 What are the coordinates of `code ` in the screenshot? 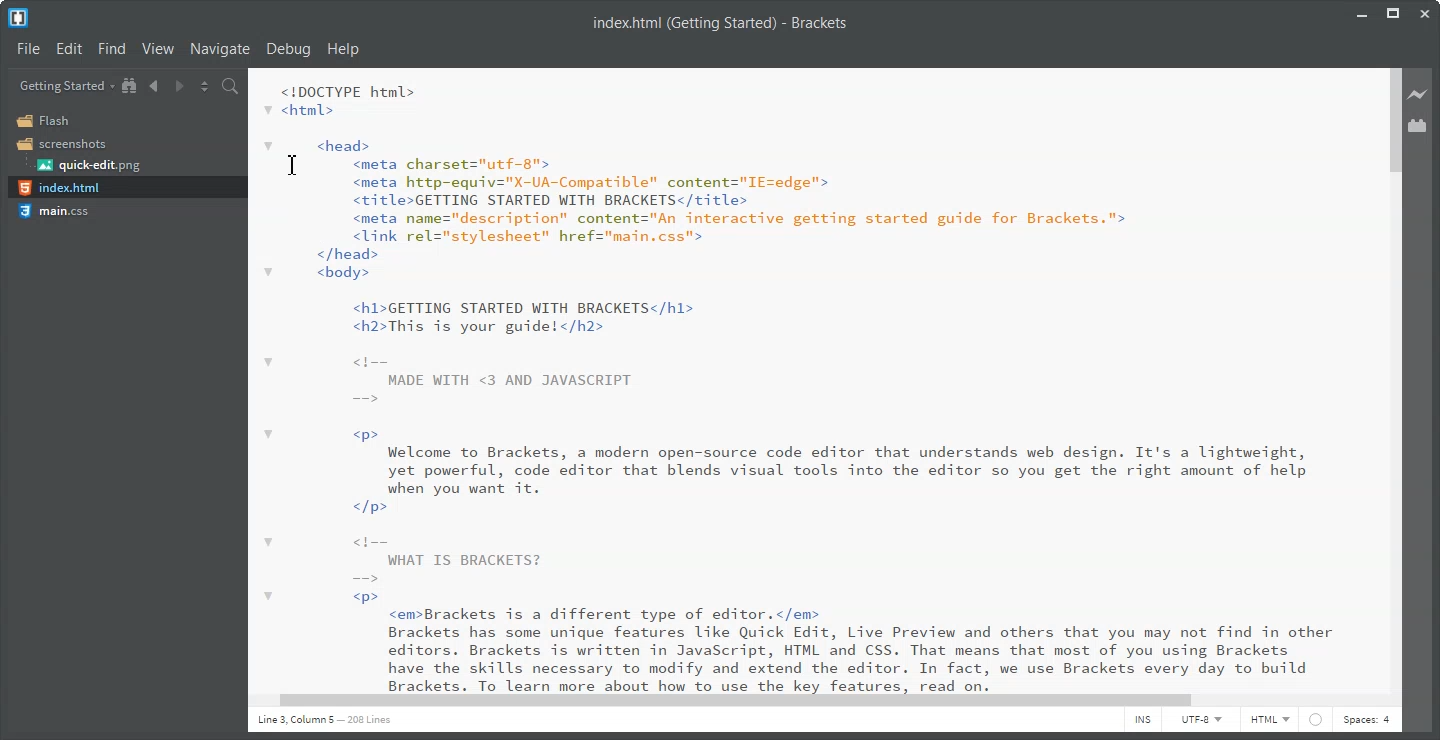 It's located at (810, 380).